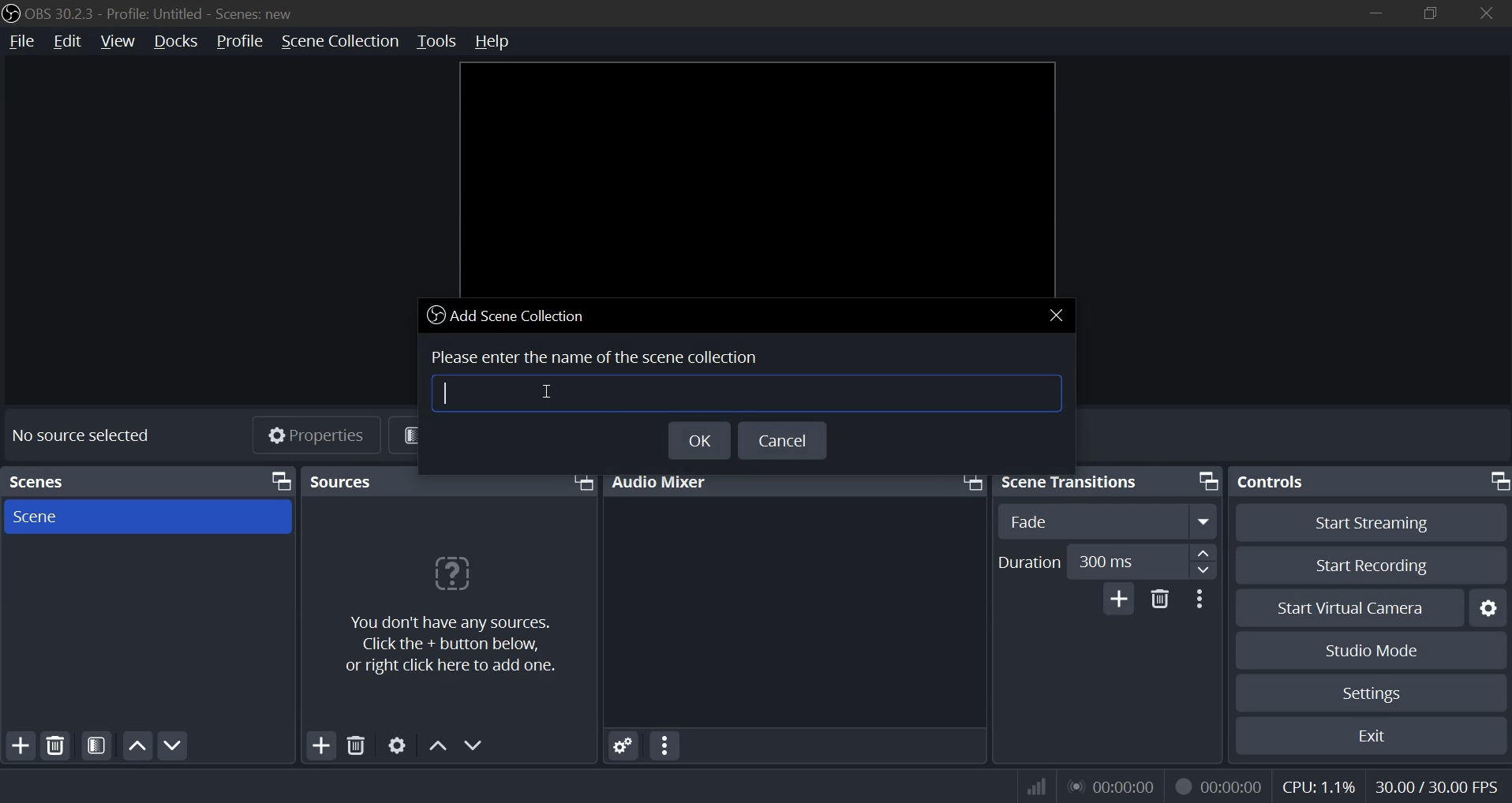 The image size is (1512, 803). Describe the element at coordinates (1374, 652) in the screenshot. I see `studio mode` at that location.